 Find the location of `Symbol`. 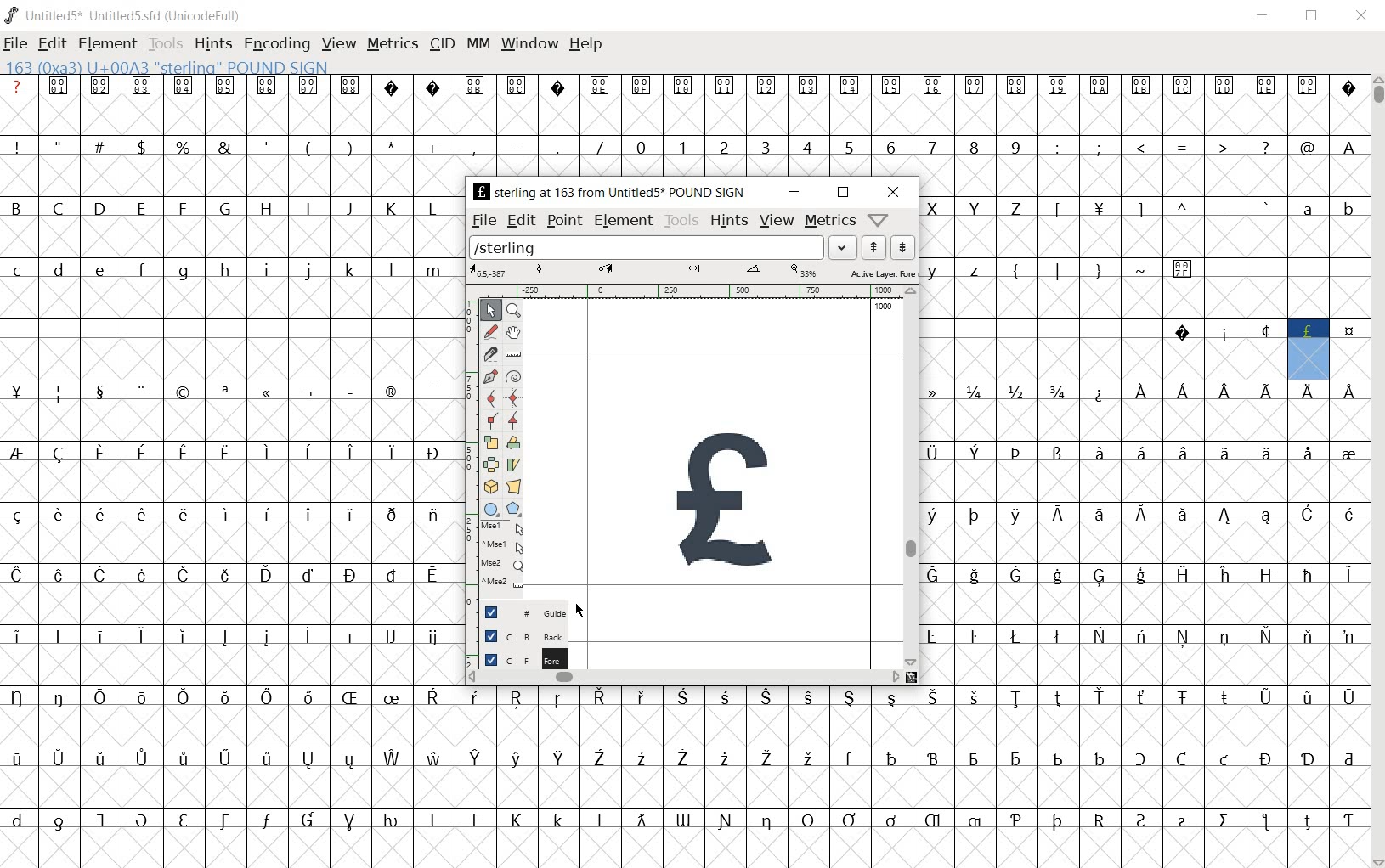

Symbol is located at coordinates (975, 636).